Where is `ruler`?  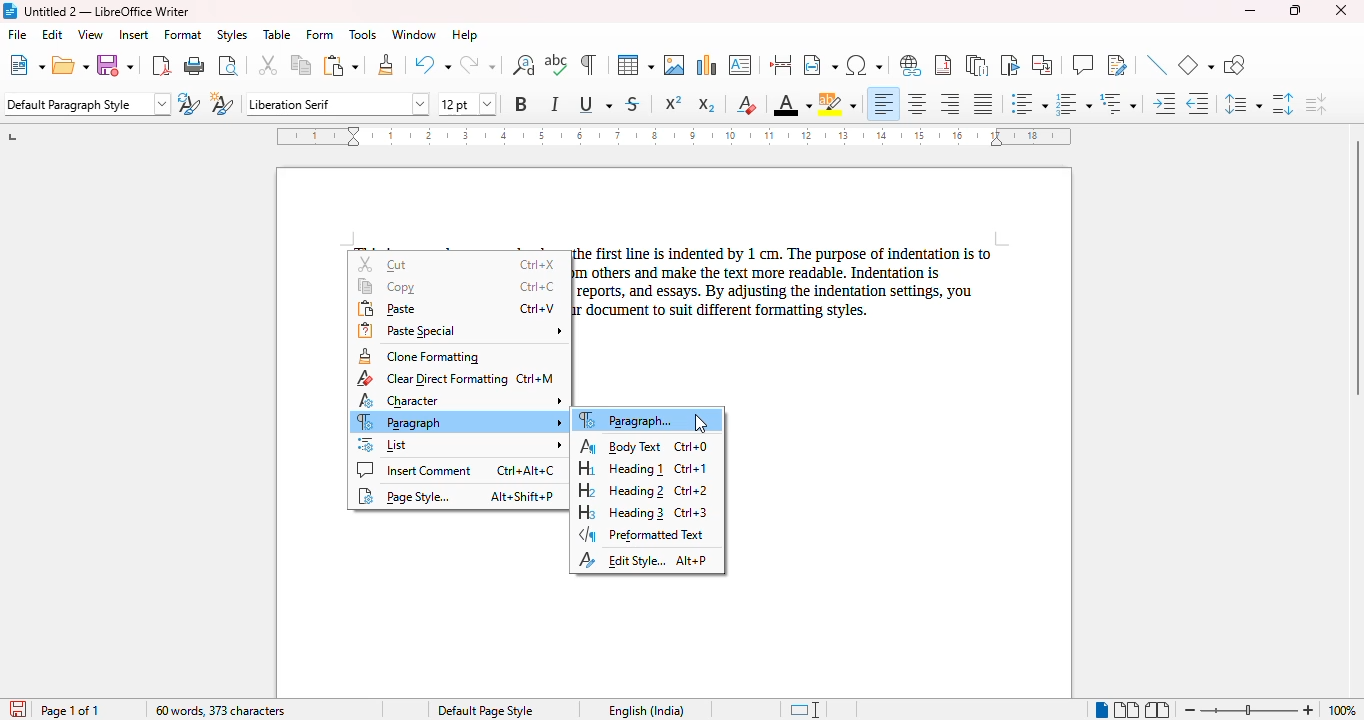 ruler is located at coordinates (673, 136).